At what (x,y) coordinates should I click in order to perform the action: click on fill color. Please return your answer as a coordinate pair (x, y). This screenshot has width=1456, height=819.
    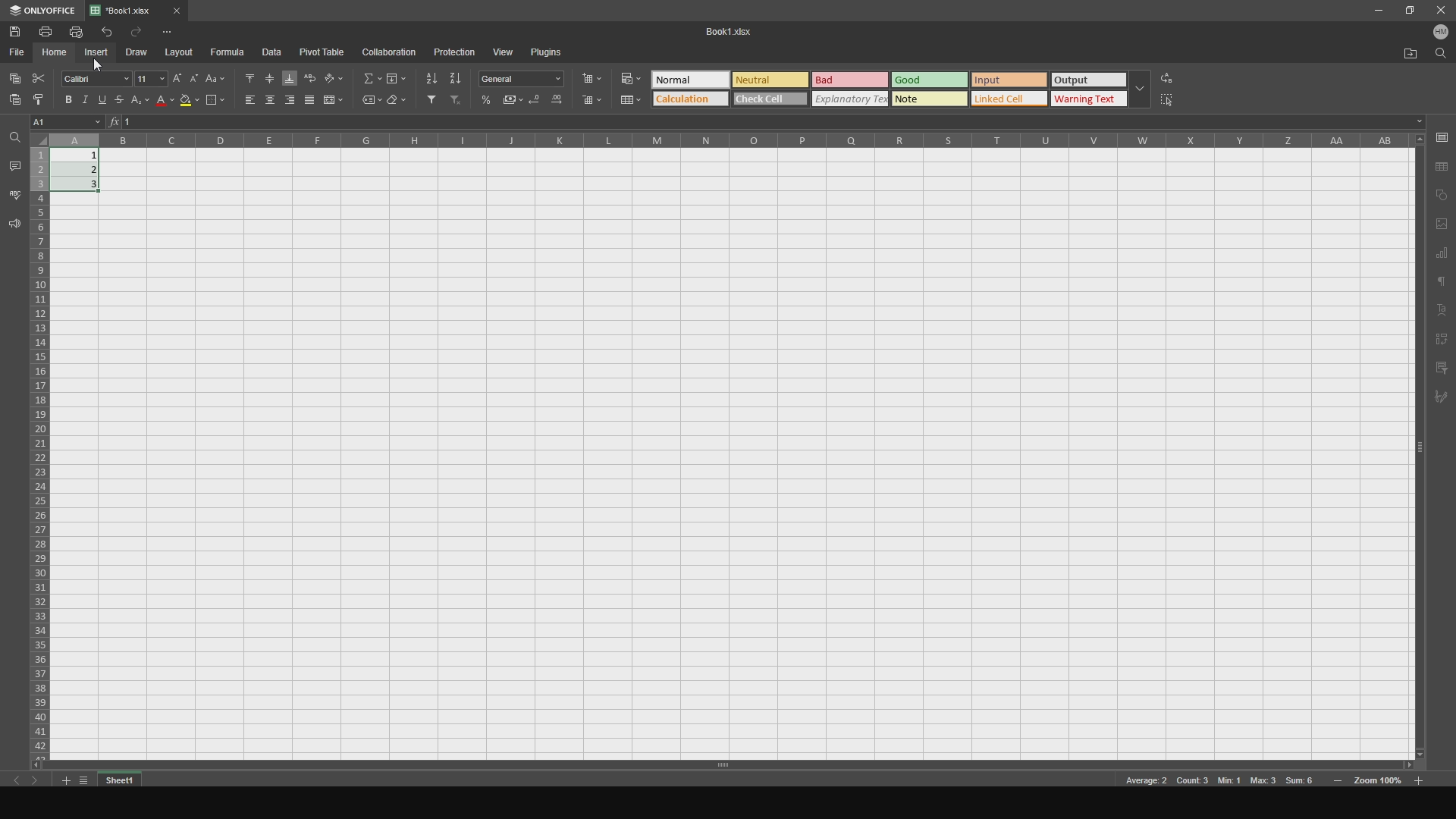
    Looking at the image, I should click on (189, 103).